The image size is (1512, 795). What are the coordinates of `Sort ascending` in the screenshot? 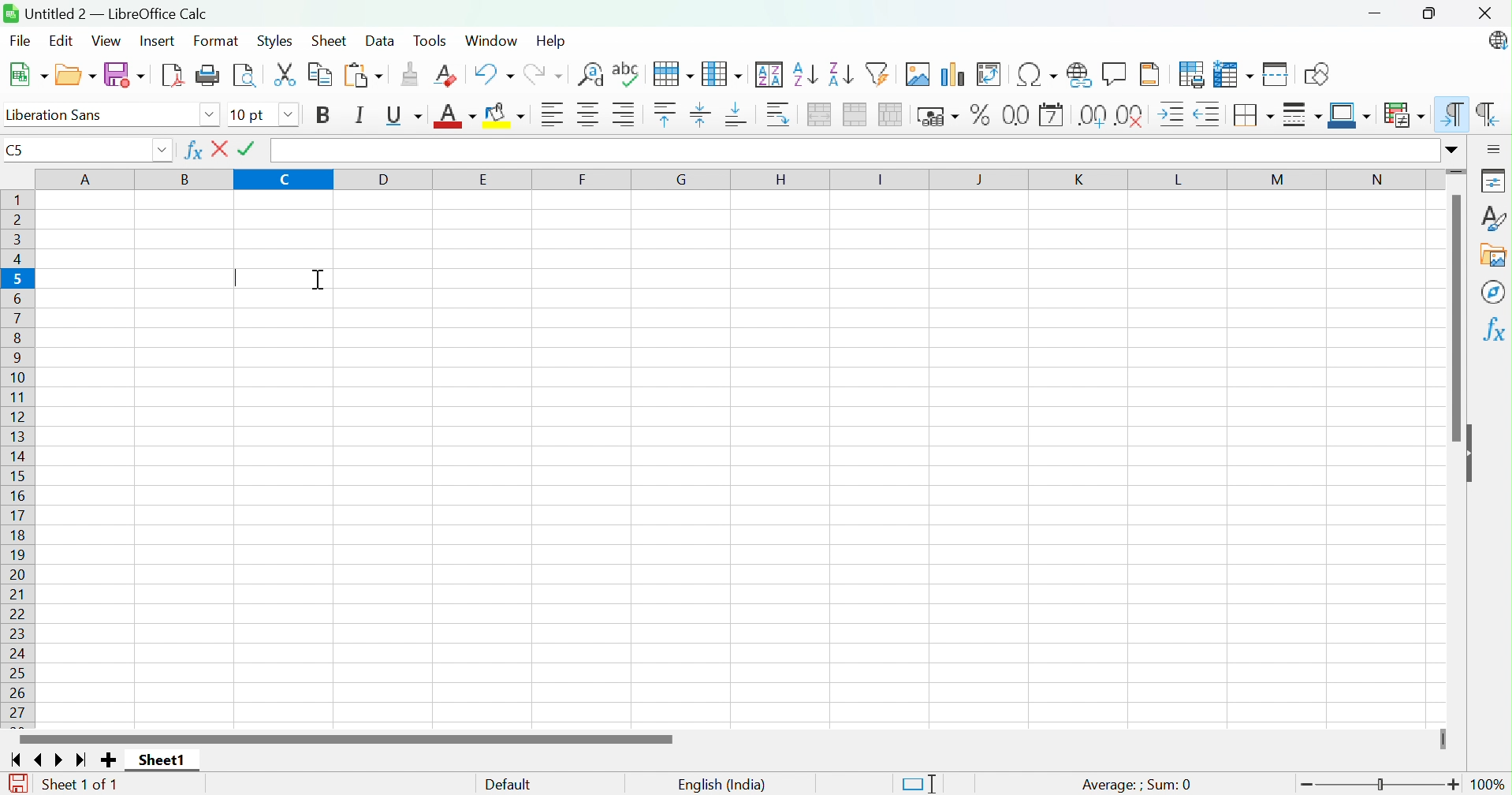 It's located at (805, 75).